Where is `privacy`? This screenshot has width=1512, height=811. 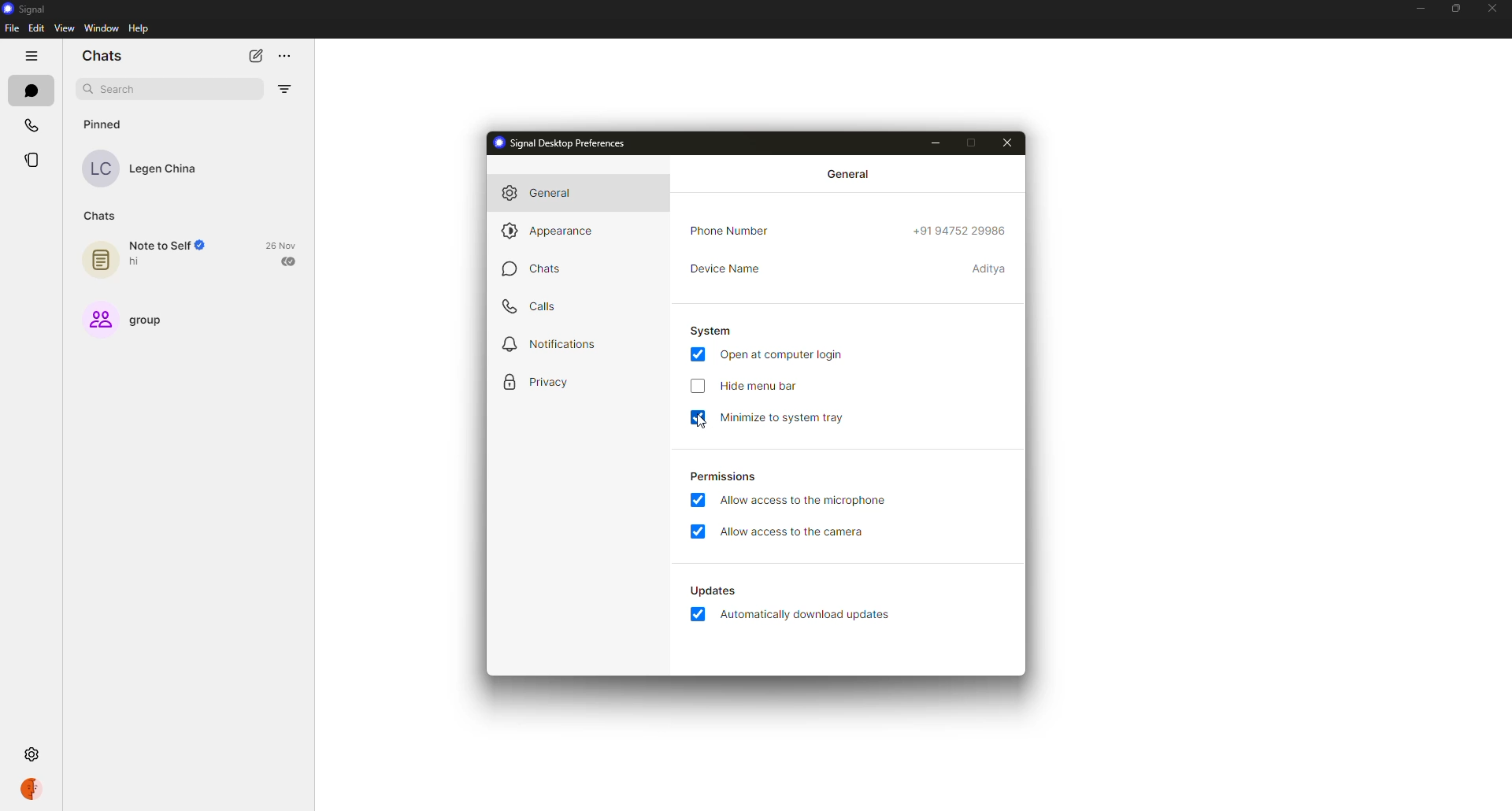 privacy is located at coordinates (534, 380).